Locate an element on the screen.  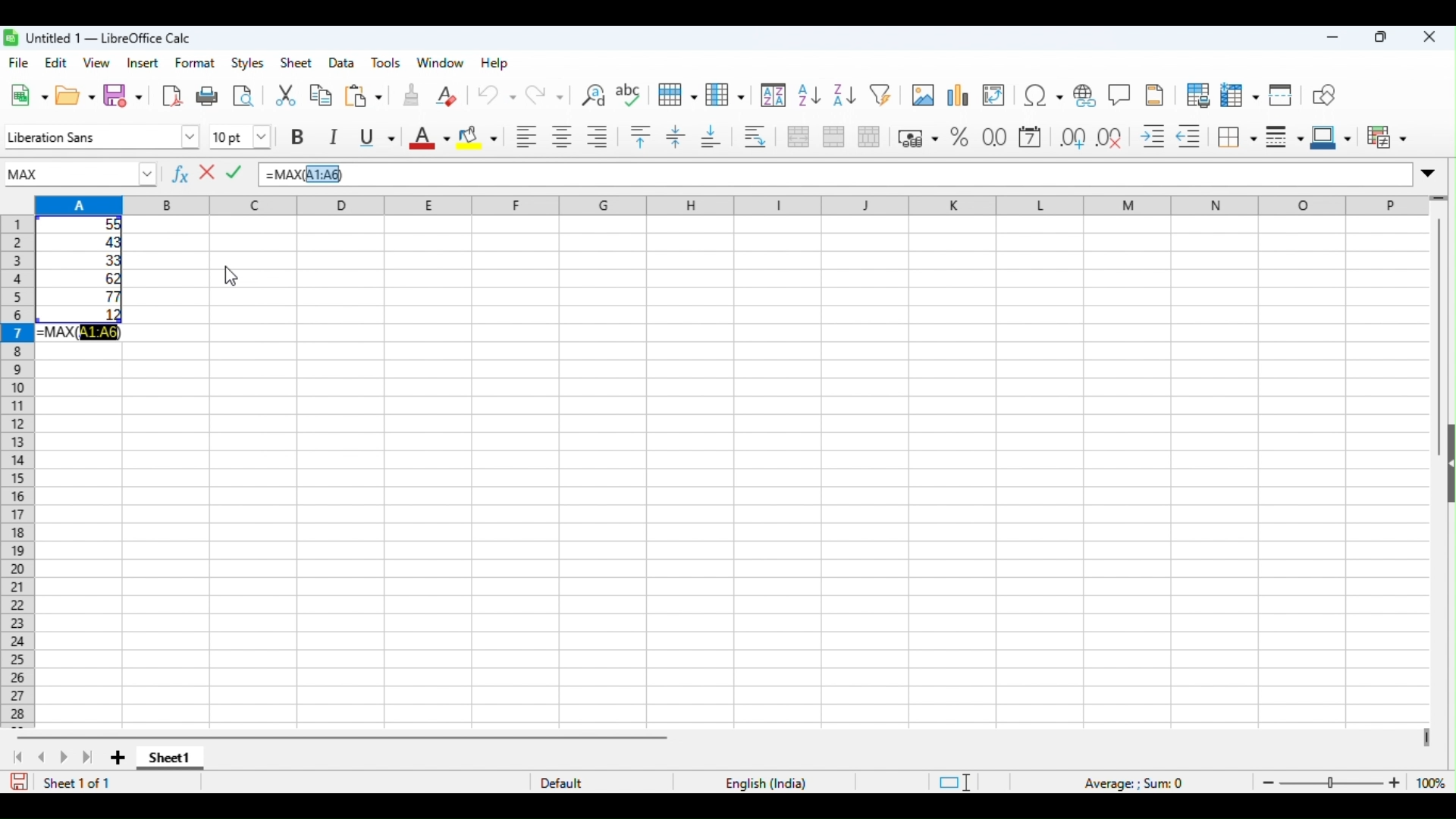
add new sheet is located at coordinates (118, 756).